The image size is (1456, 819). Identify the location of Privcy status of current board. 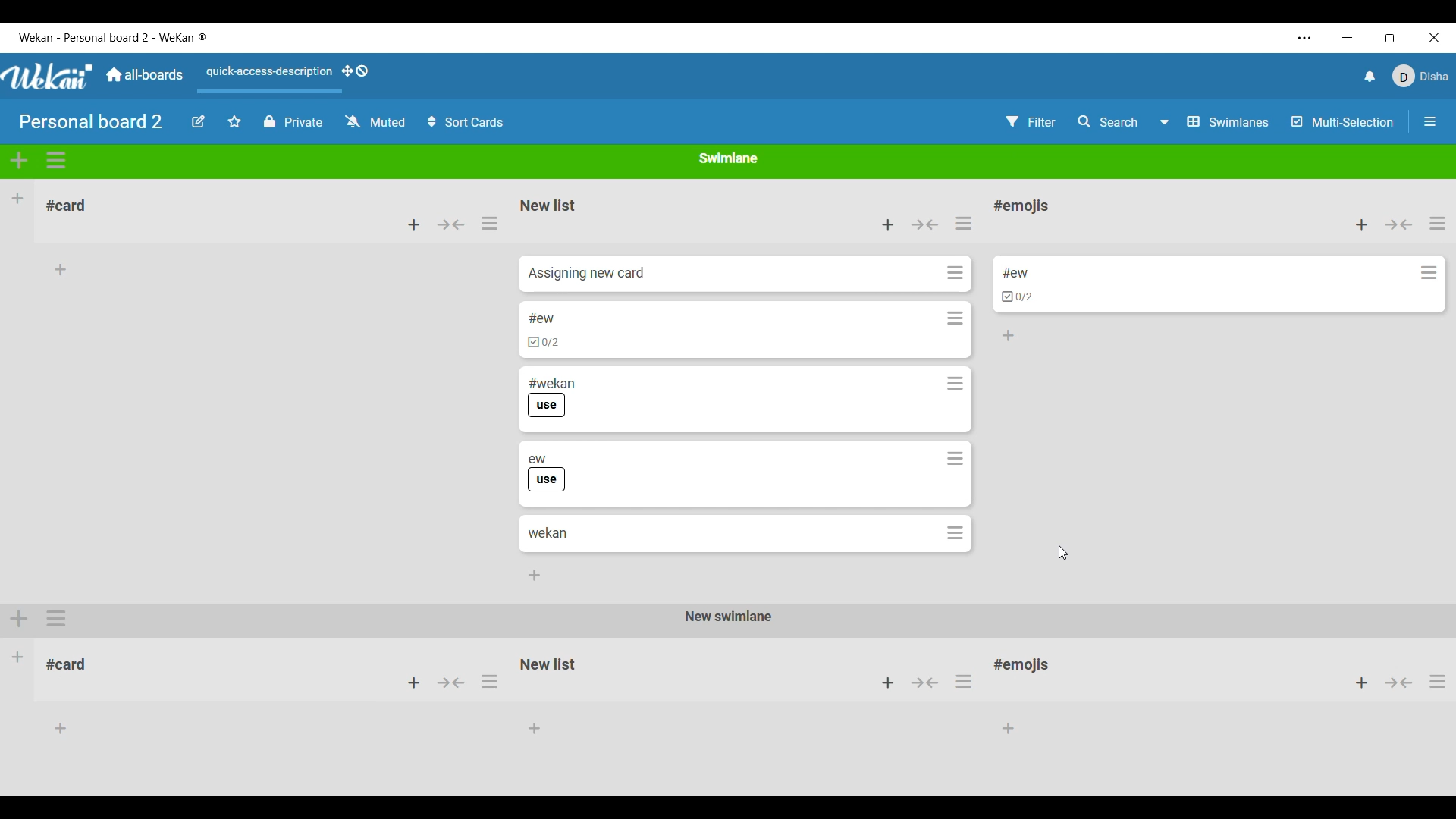
(293, 121).